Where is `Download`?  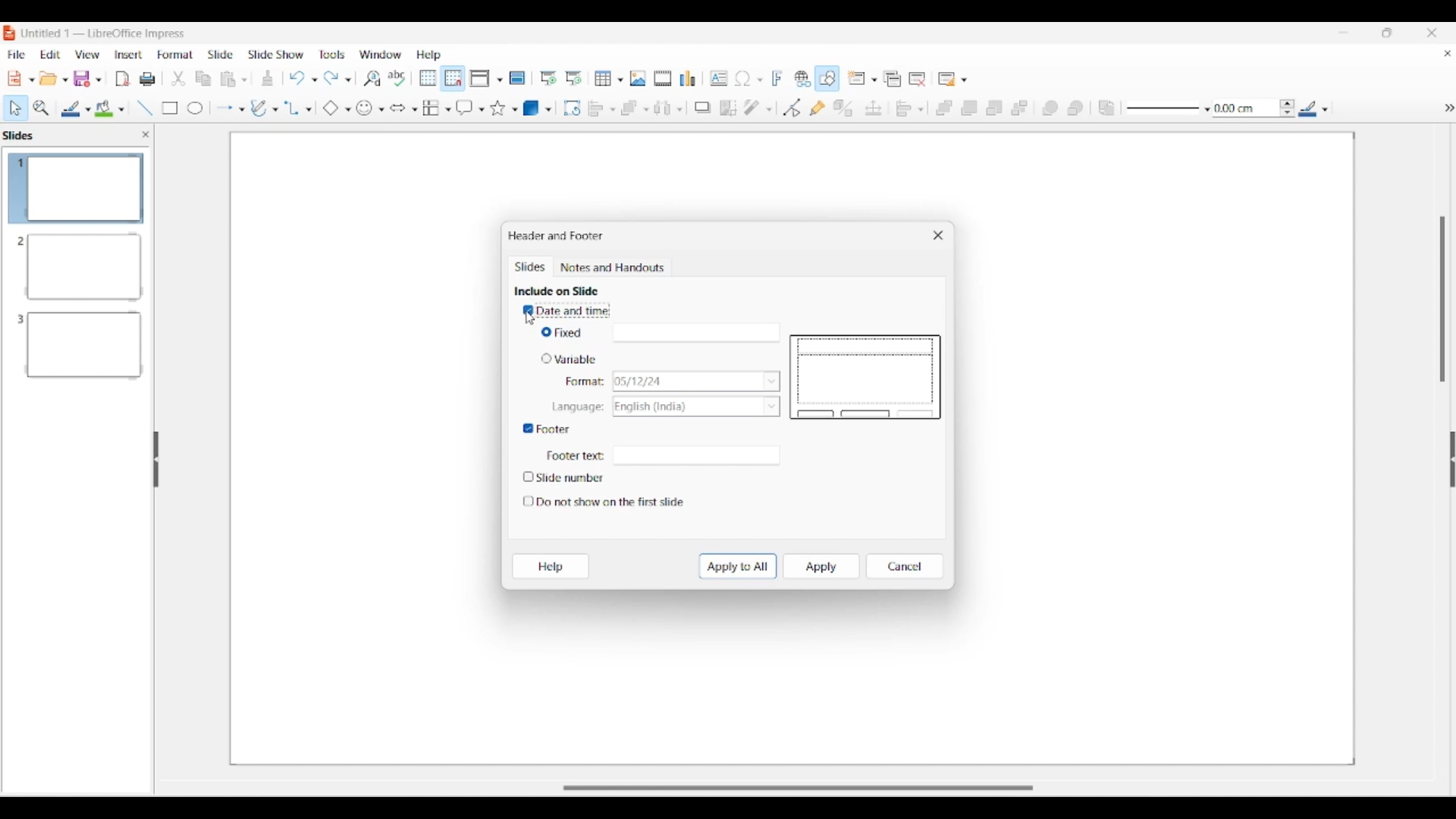 Download is located at coordinates (268, 78).